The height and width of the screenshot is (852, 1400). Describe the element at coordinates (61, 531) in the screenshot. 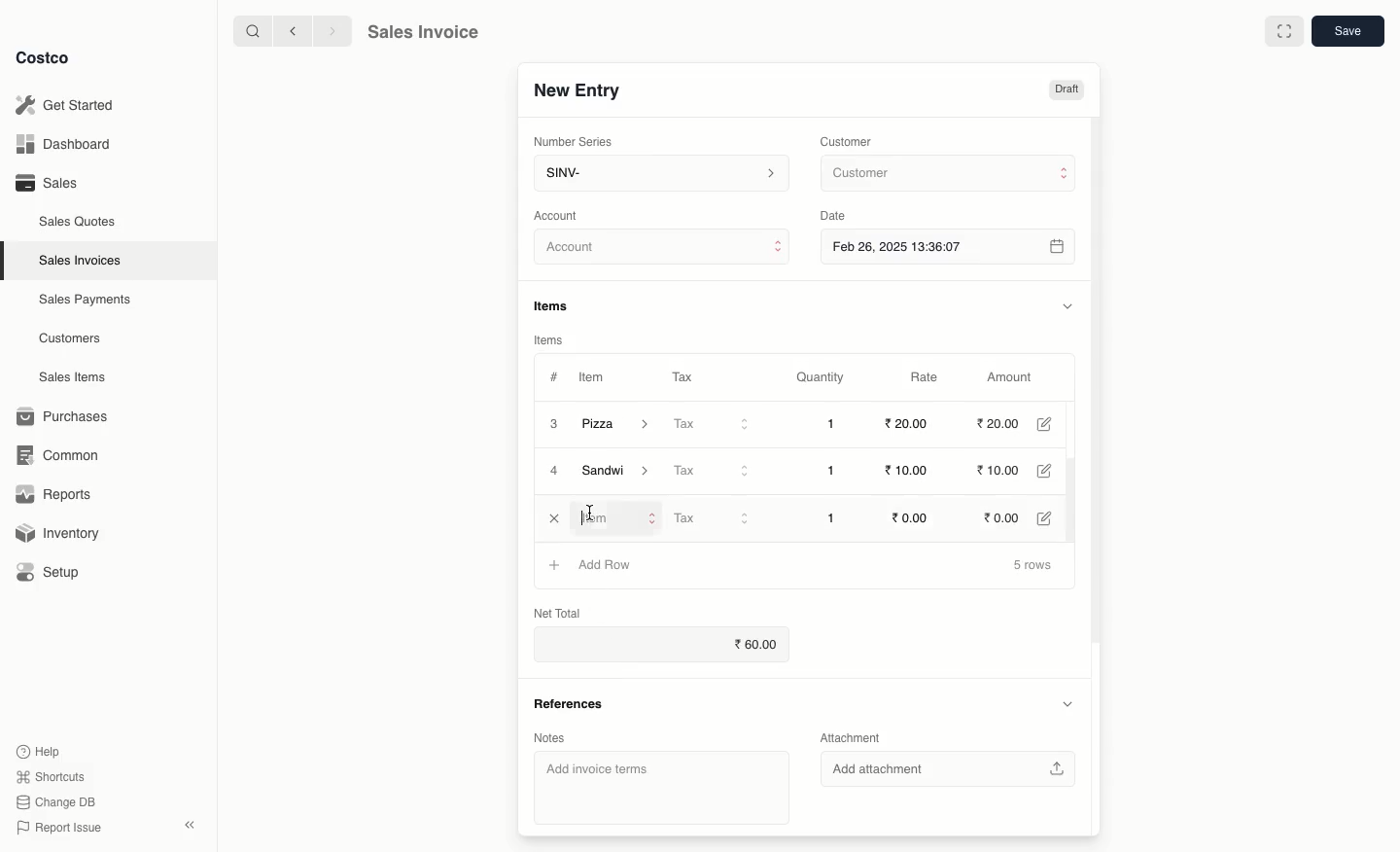

I see `Inventory` at that location.